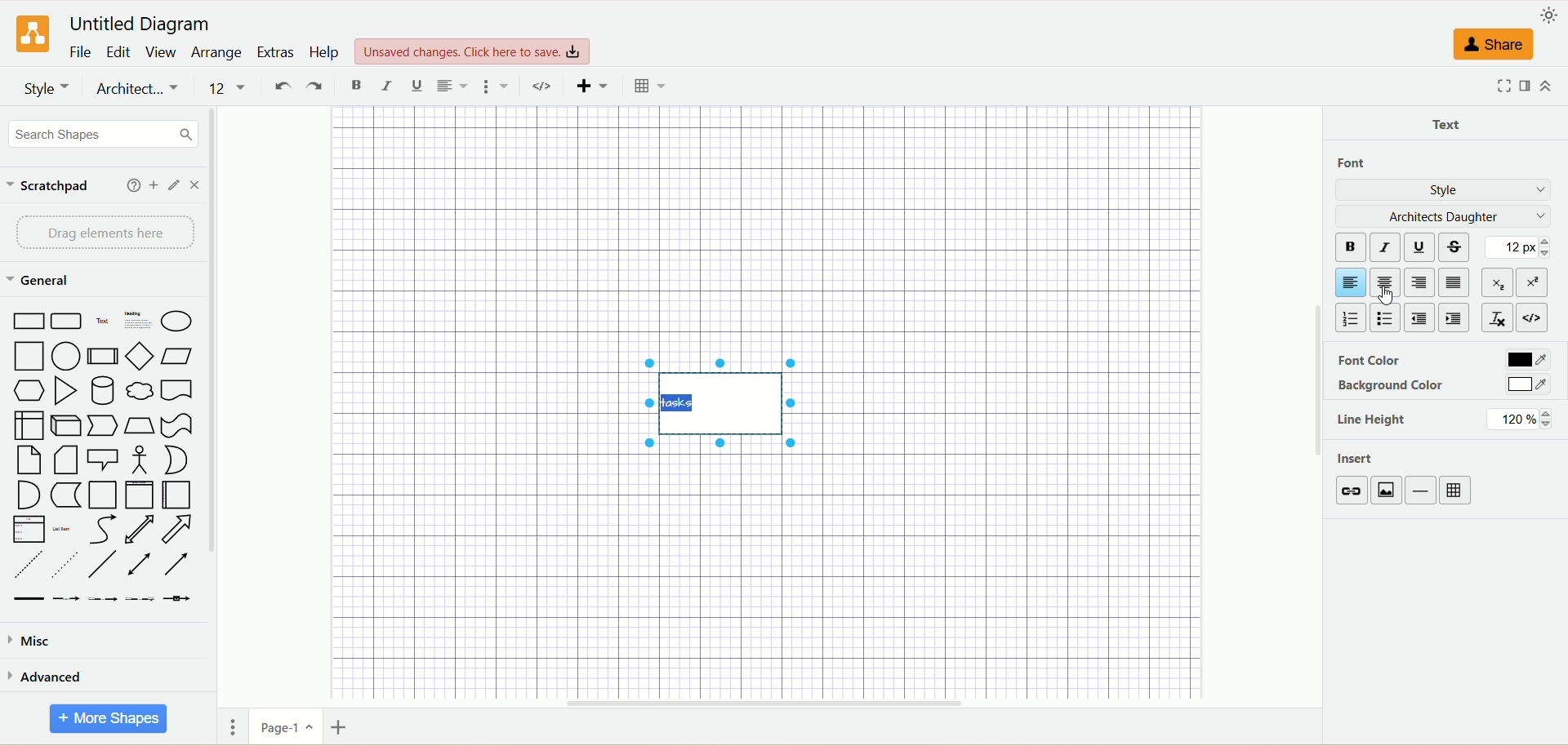  Describe the element at coordinates (1520, 420) in the screenshot. I see `120%` at that location.